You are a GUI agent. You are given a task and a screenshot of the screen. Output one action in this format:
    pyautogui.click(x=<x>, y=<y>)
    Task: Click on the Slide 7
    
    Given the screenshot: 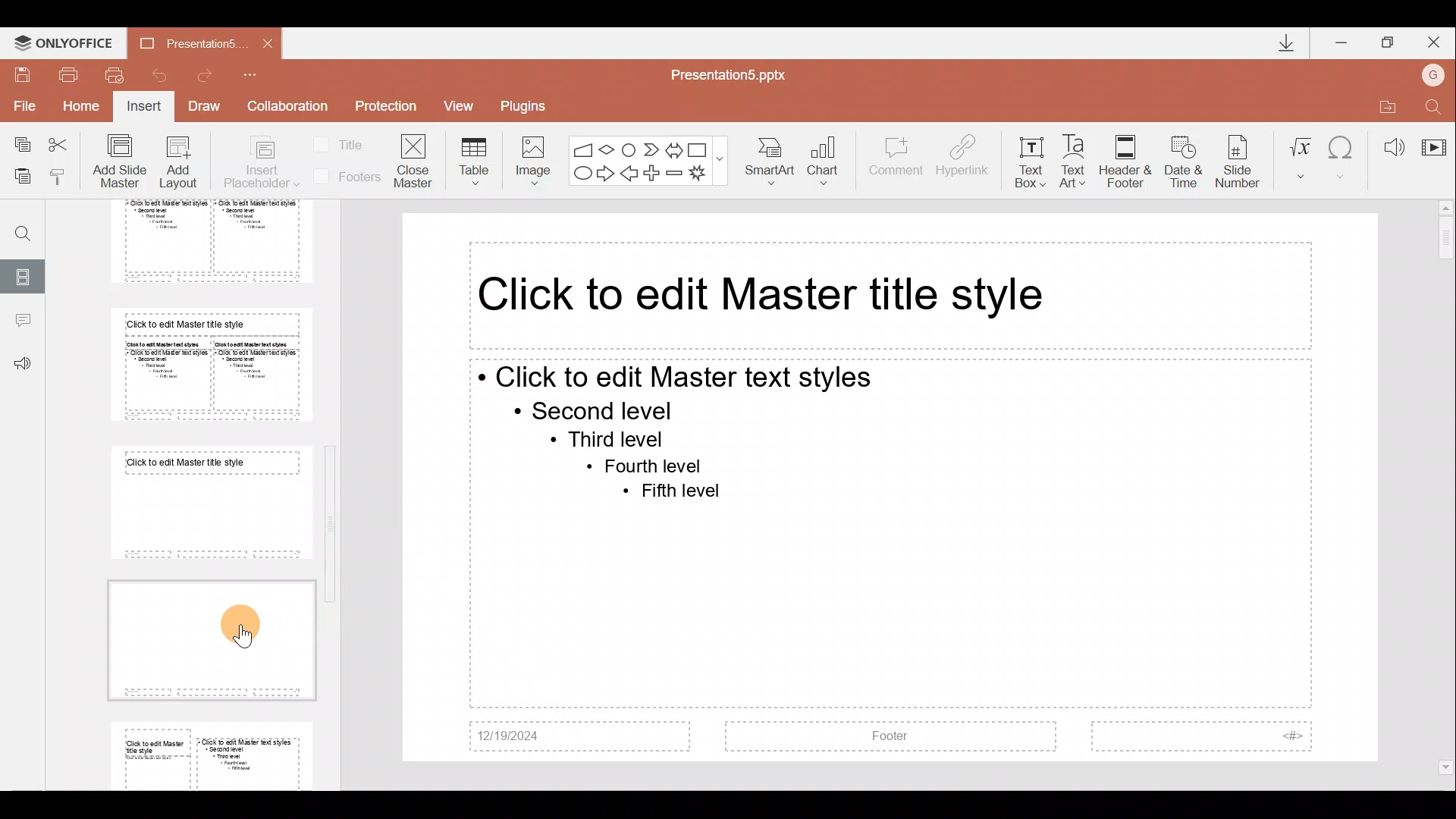 What is the action you would take?
    pyautogui.click(x=206, y=503)
    